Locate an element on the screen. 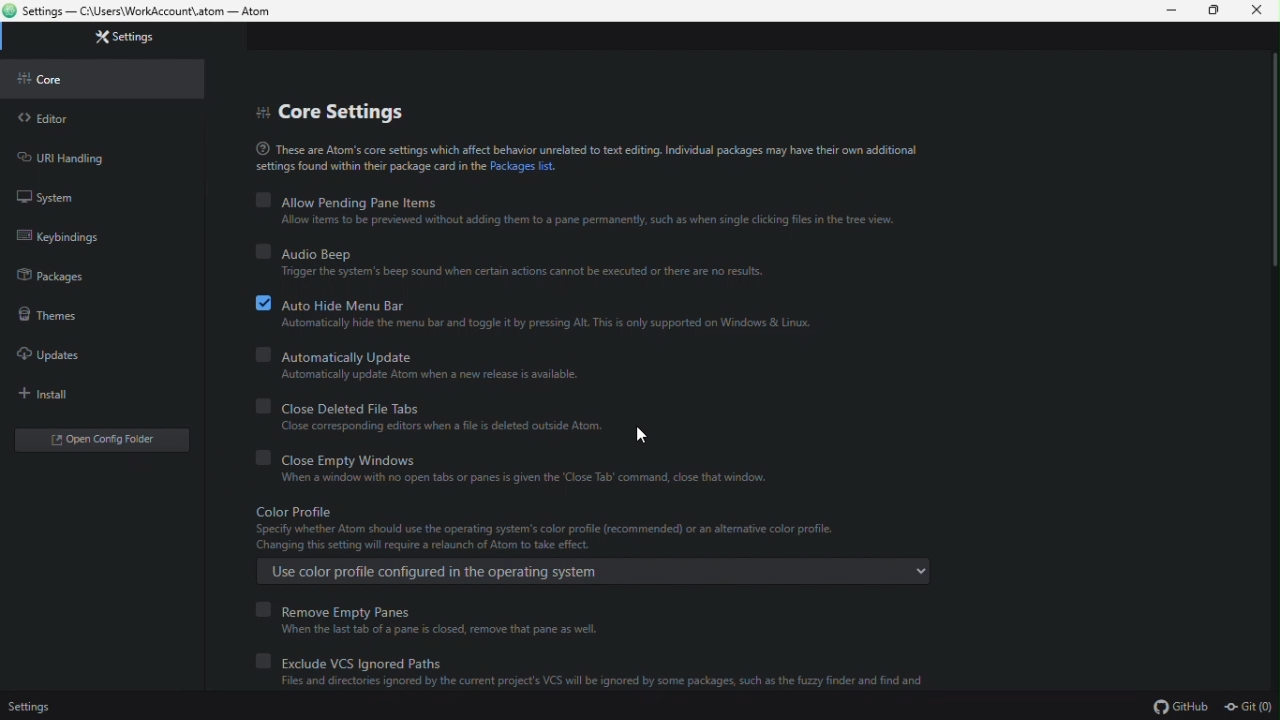 Image resolution: width=1280 pixels, height=720 pixels. Close is located at coordinates (1261, 11).